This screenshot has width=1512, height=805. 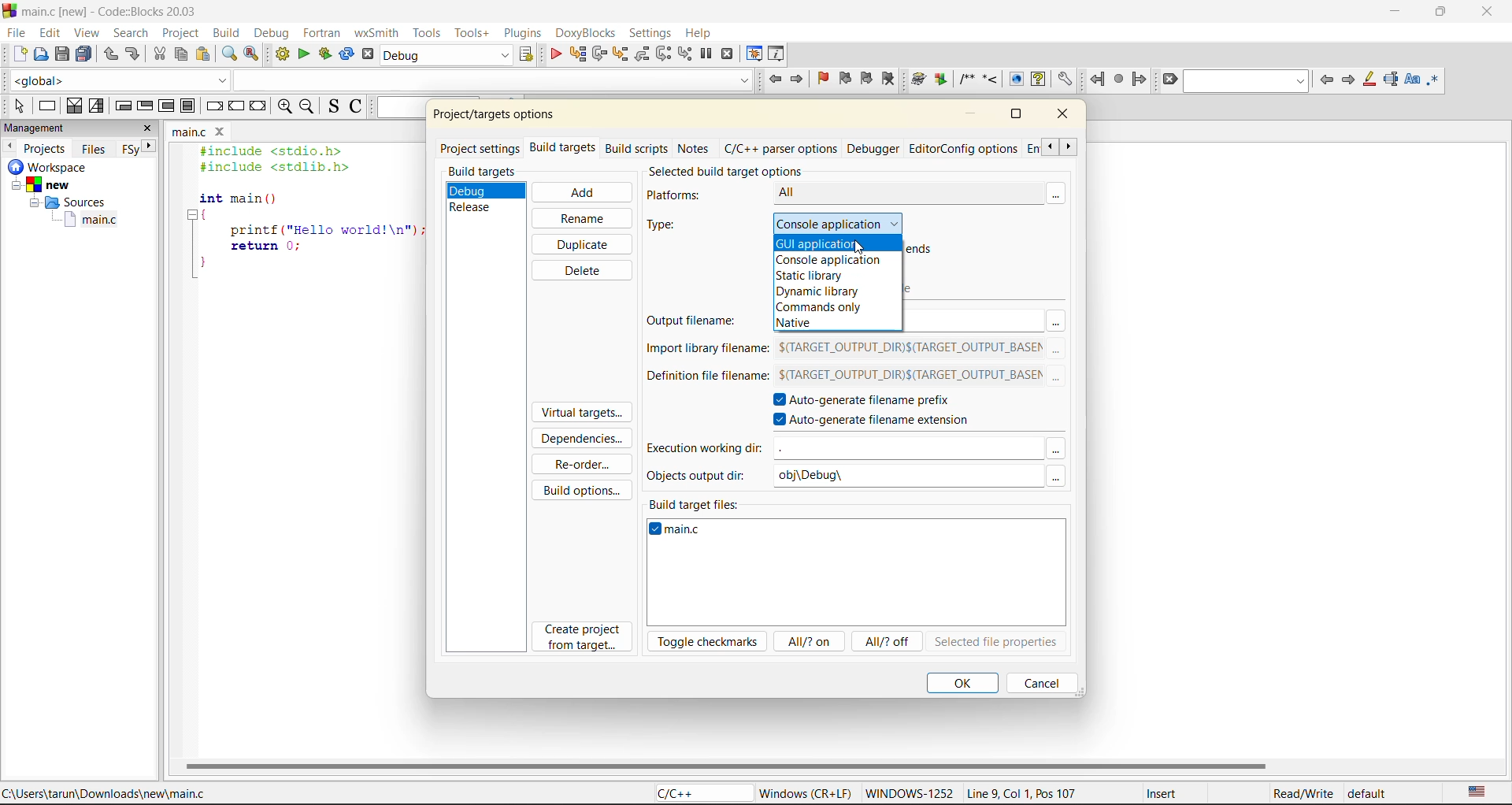 I want to click on commands only, so click(x=837, y=307).